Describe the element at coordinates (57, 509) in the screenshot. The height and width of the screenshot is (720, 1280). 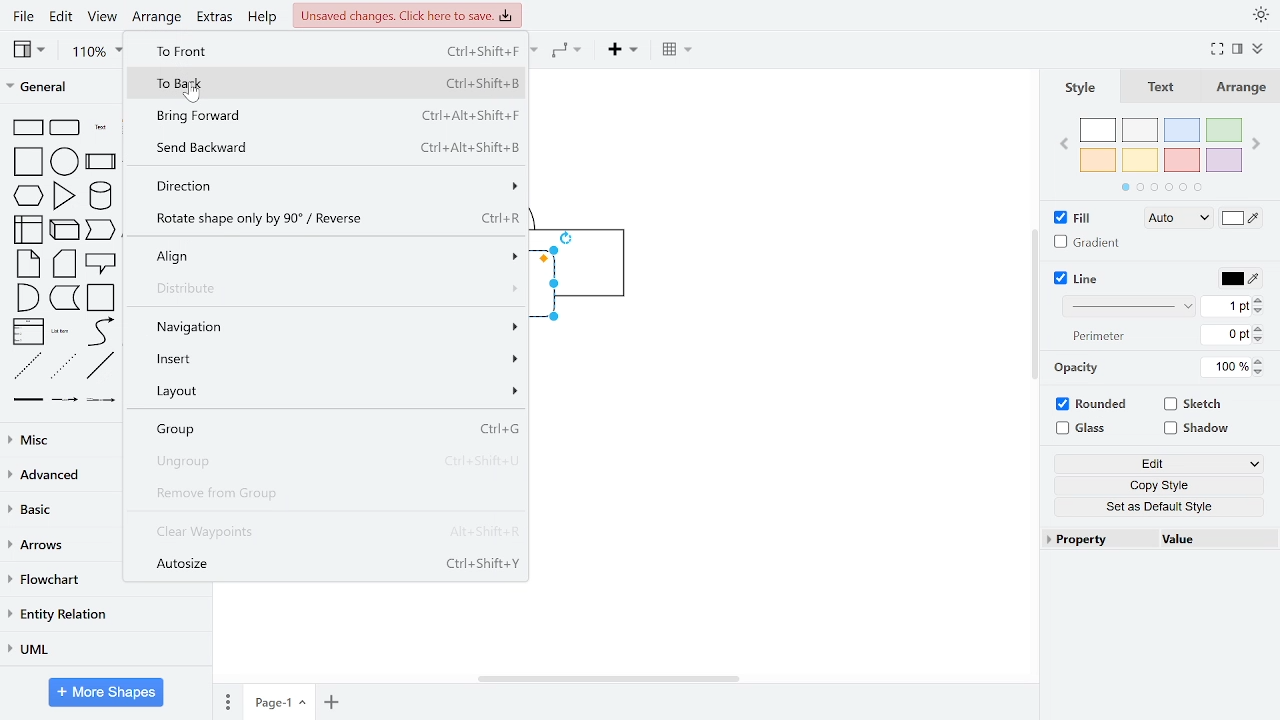
I see `basic` at that location.